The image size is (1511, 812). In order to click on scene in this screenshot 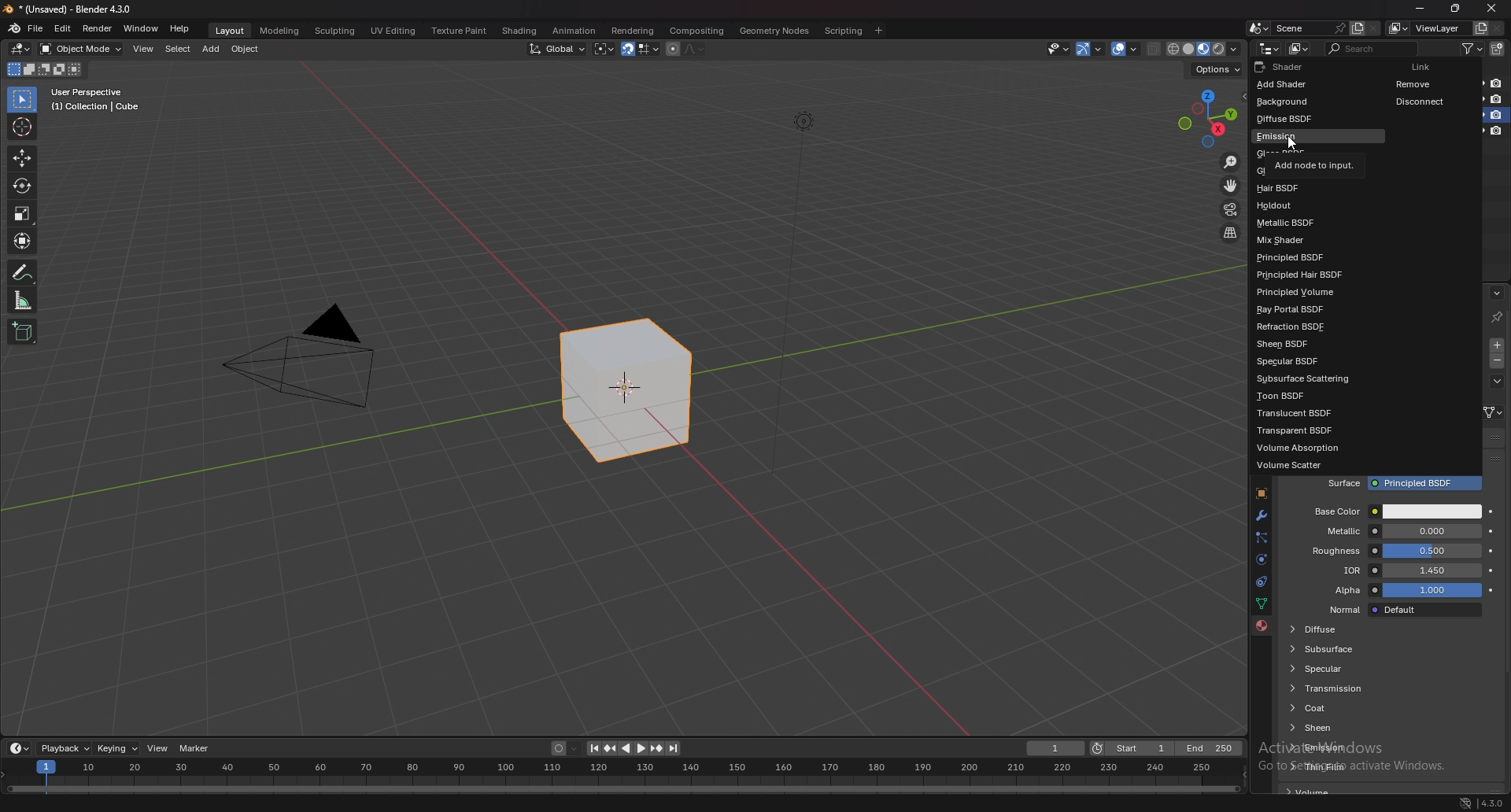, I will do `click(1307, 28)`.